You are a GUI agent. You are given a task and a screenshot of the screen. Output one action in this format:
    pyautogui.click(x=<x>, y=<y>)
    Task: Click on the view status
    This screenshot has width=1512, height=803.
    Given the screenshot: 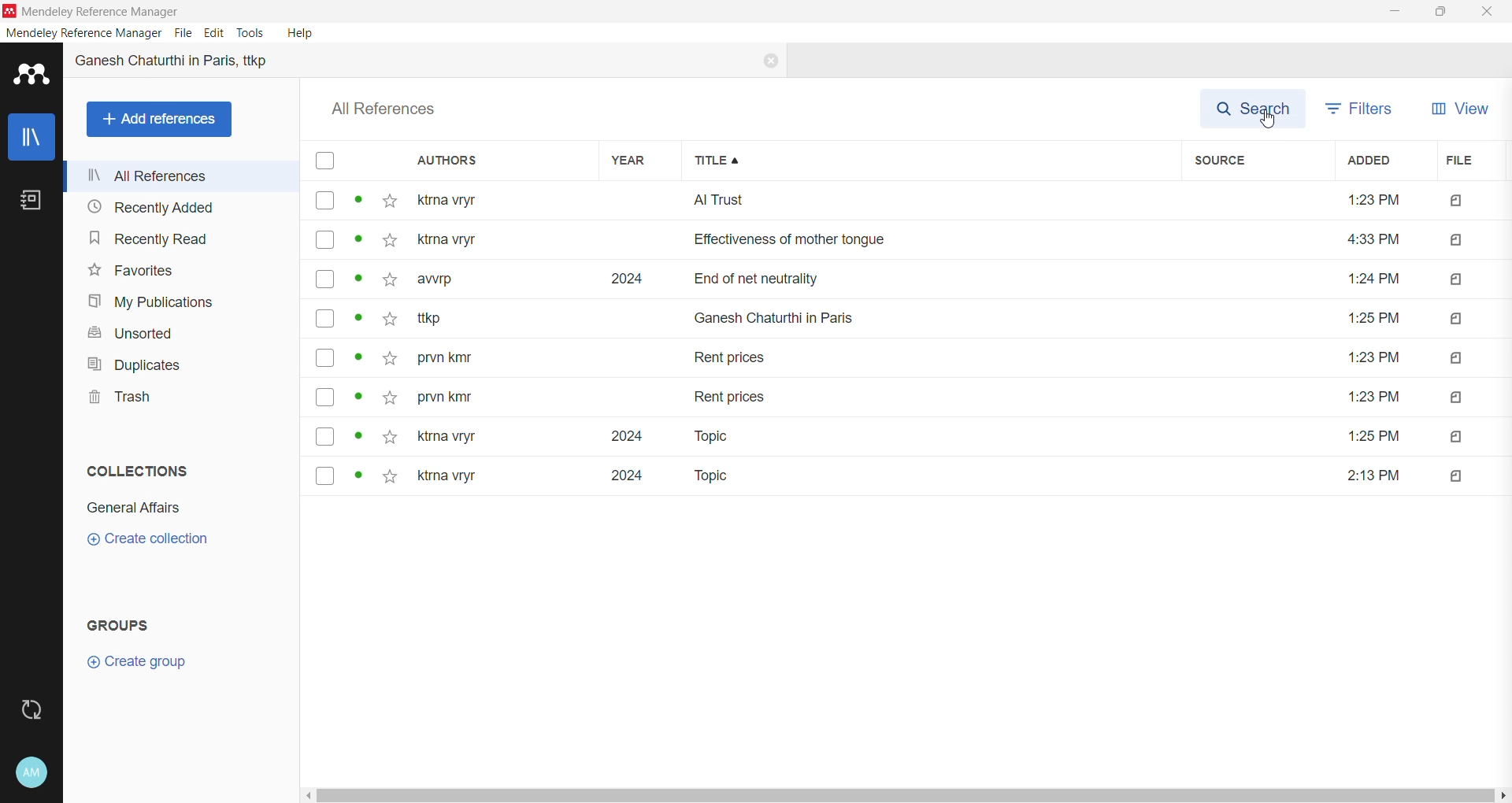 What is the action you would take?
    pyautogui.click(x=360, y=476)
    